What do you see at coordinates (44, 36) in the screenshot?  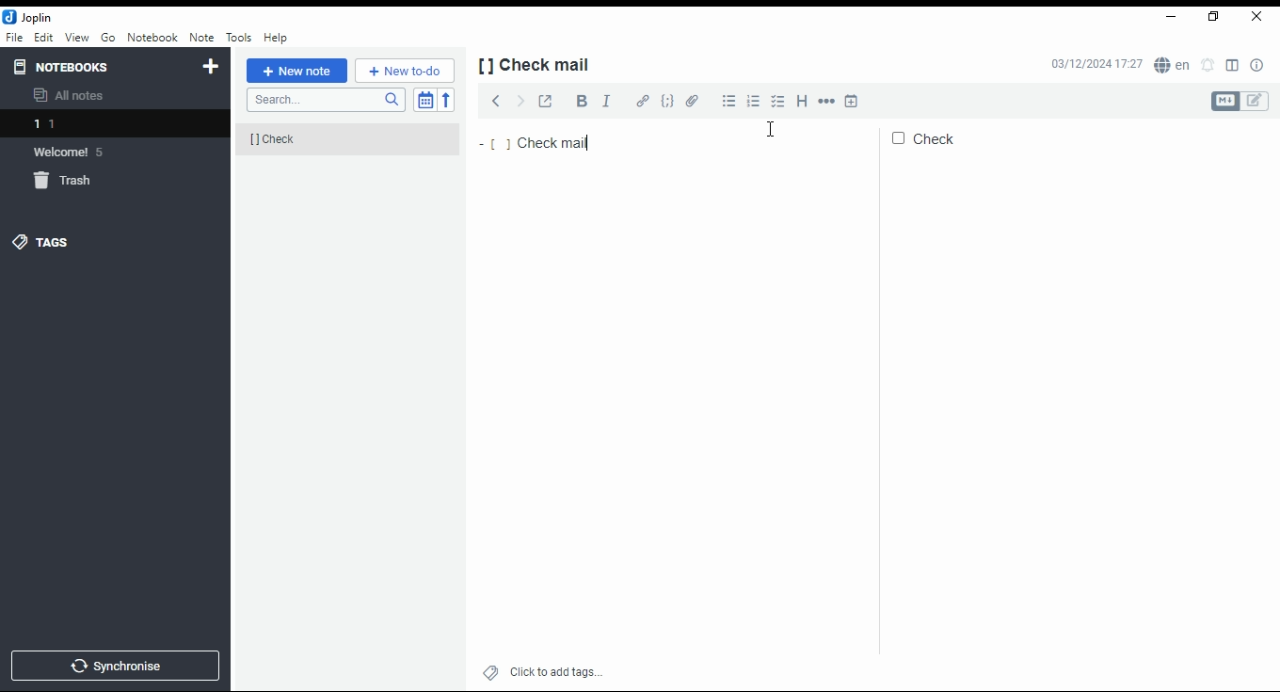 I see `edit` at bounding box center [44, 36].